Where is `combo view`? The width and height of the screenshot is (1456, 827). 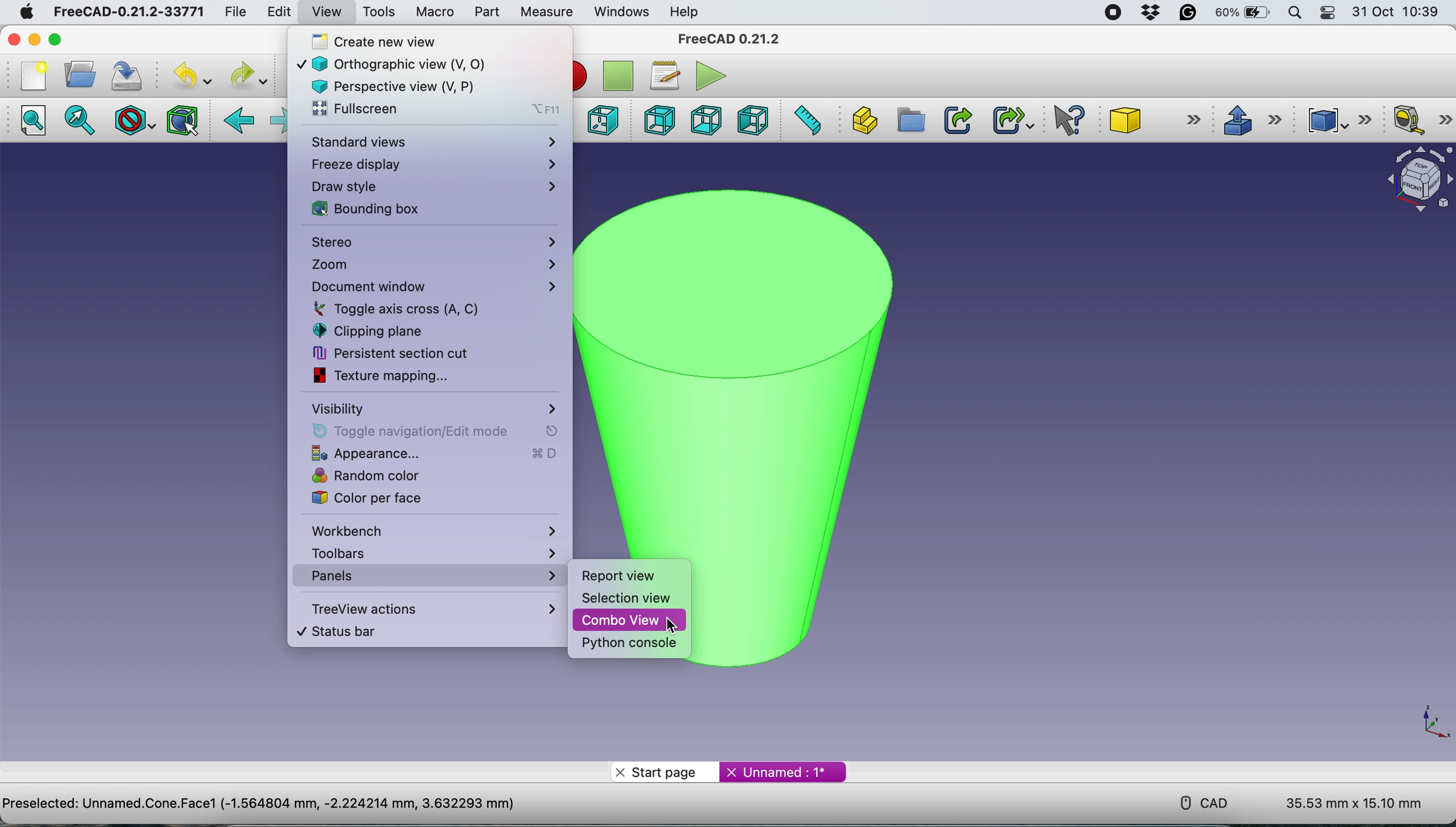 combo view is located at coordinates (630, 621).